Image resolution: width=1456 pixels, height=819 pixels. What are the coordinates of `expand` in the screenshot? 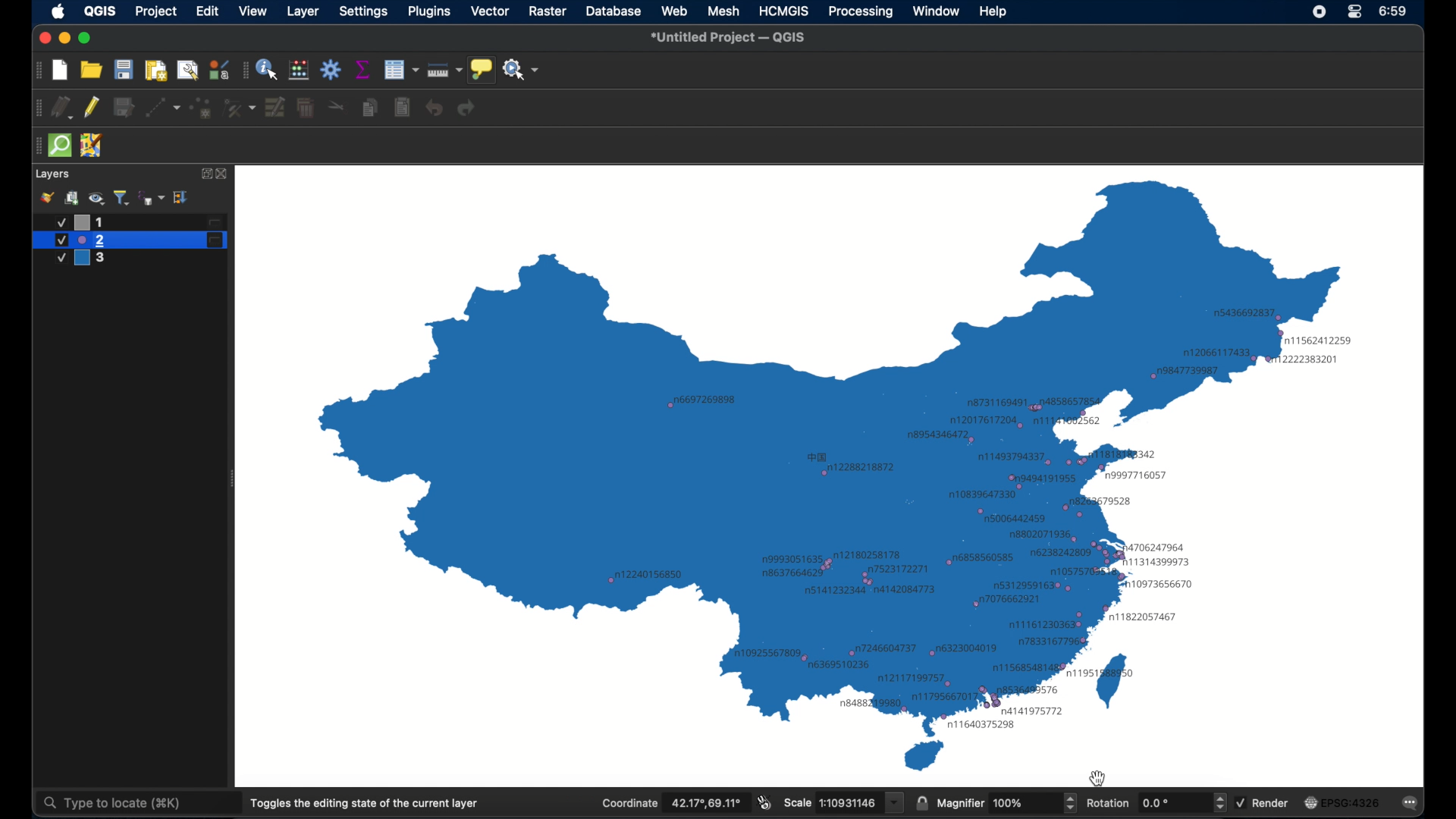 It's located at (182, 198).